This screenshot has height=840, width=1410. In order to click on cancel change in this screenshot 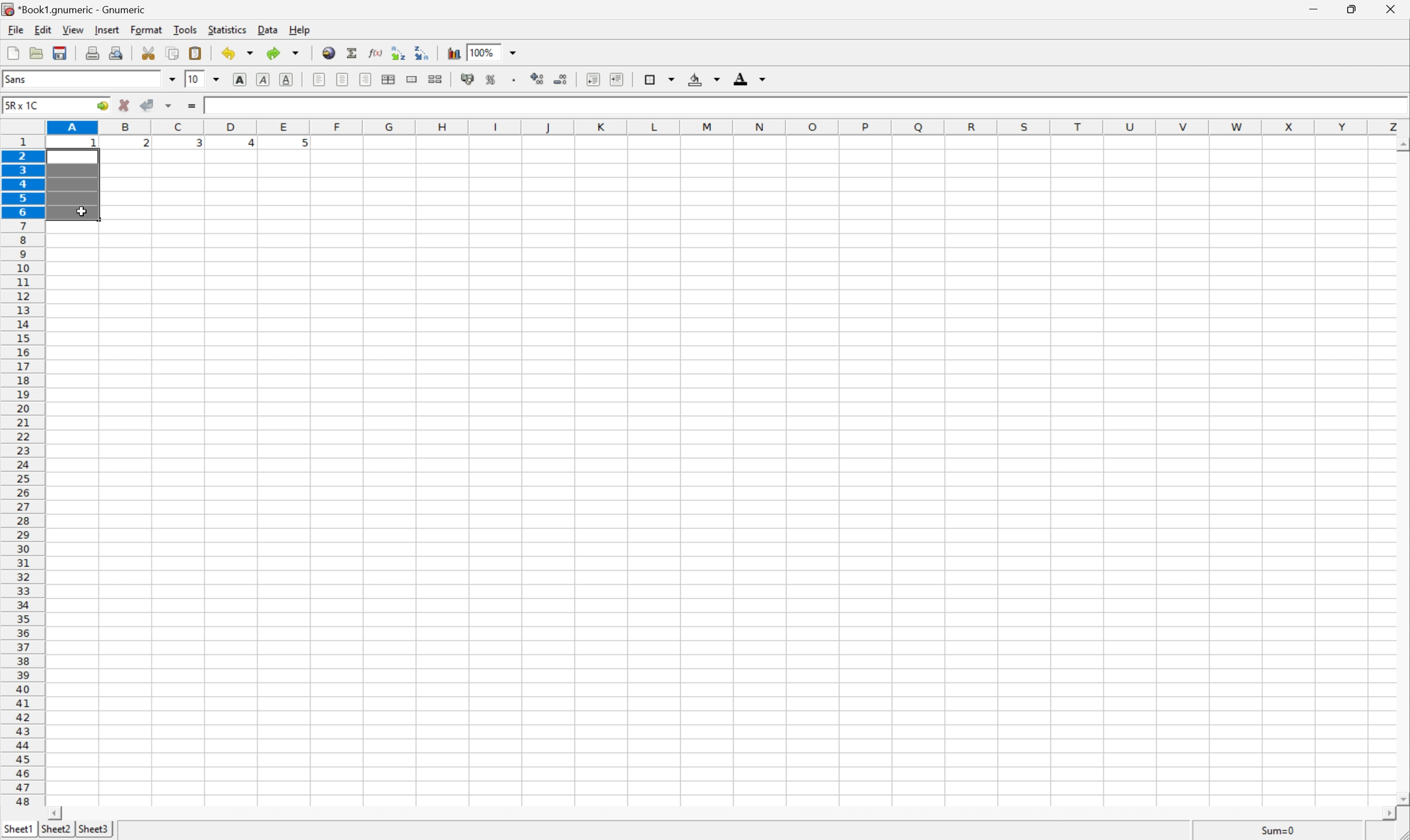, I will do `click(125, 106)`.